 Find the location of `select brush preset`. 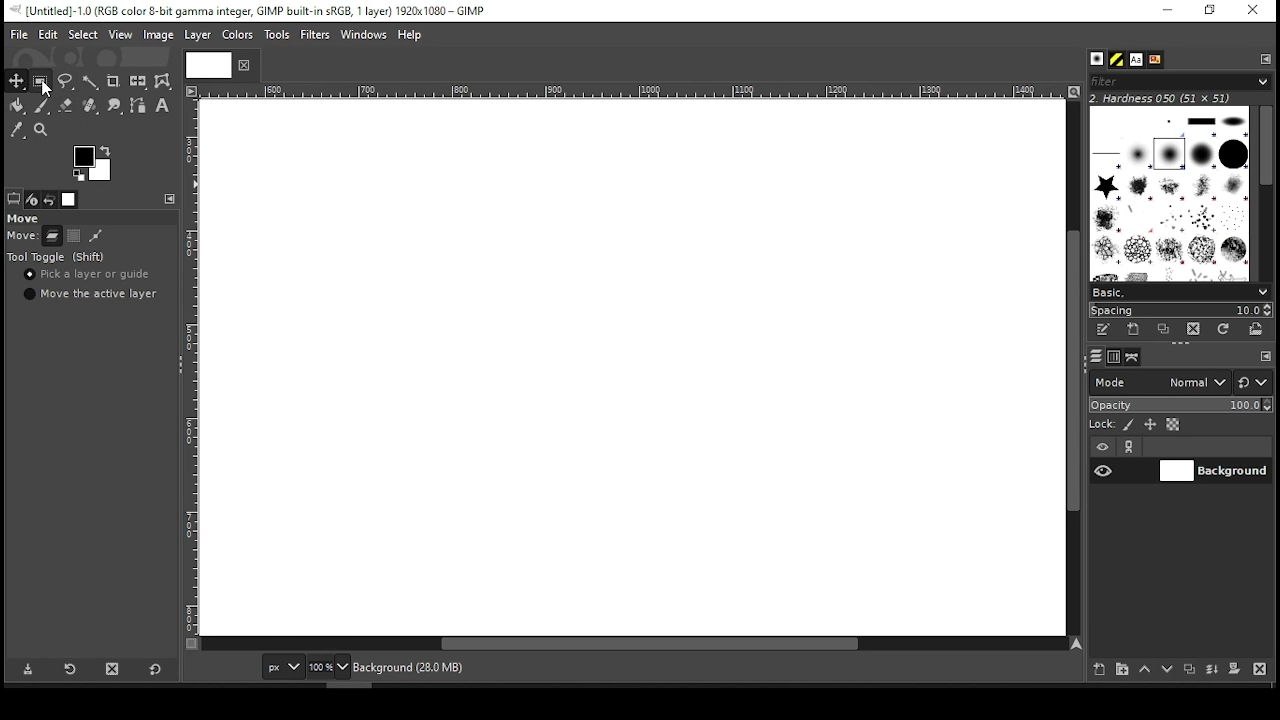

select brush preset is located at coordinates (1182, 291).